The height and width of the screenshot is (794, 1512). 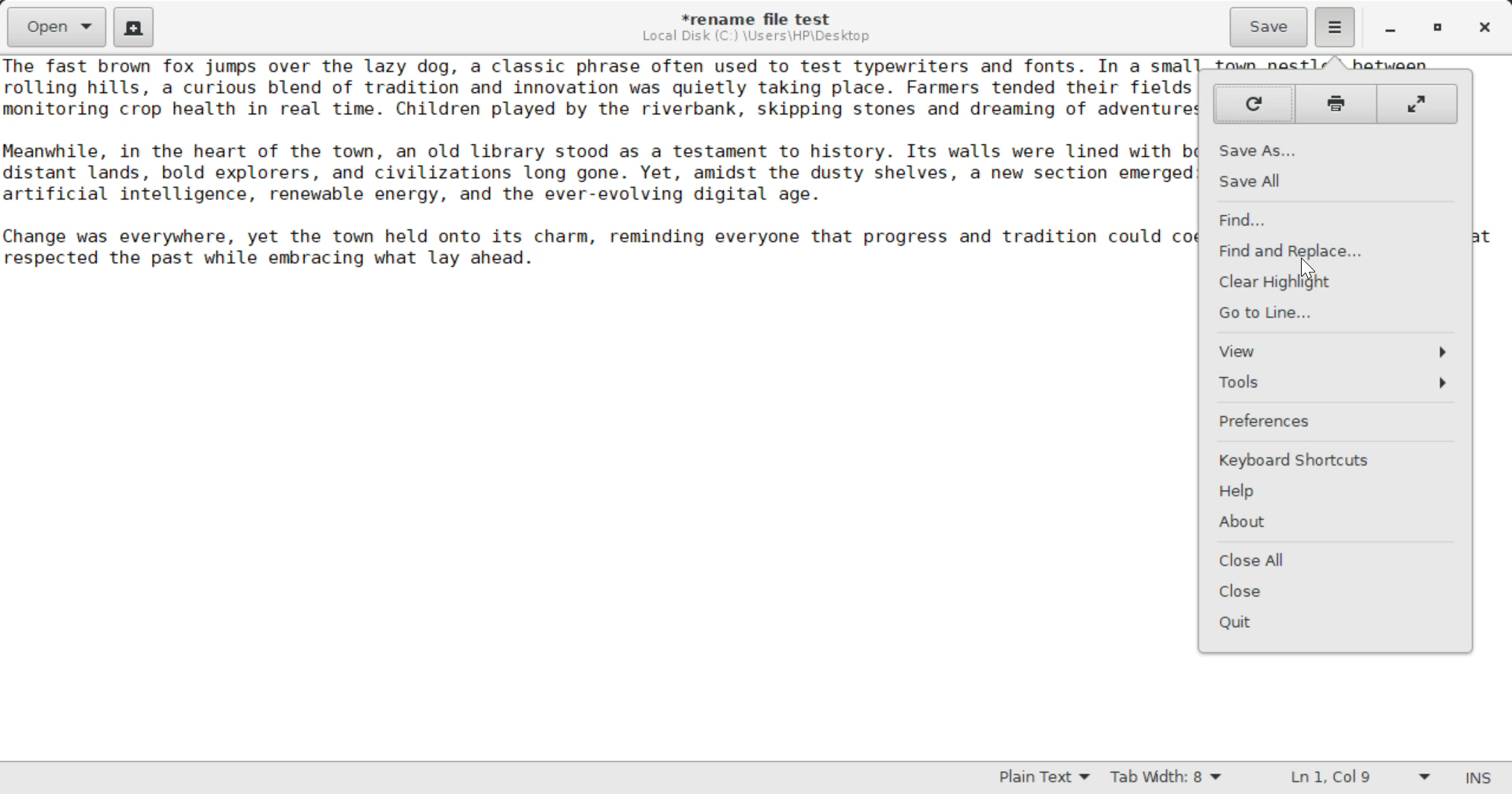 What do you see at coordinates (136, 27) in the screenshot?
I see `Create New Document` at bounding box center [136, 27].